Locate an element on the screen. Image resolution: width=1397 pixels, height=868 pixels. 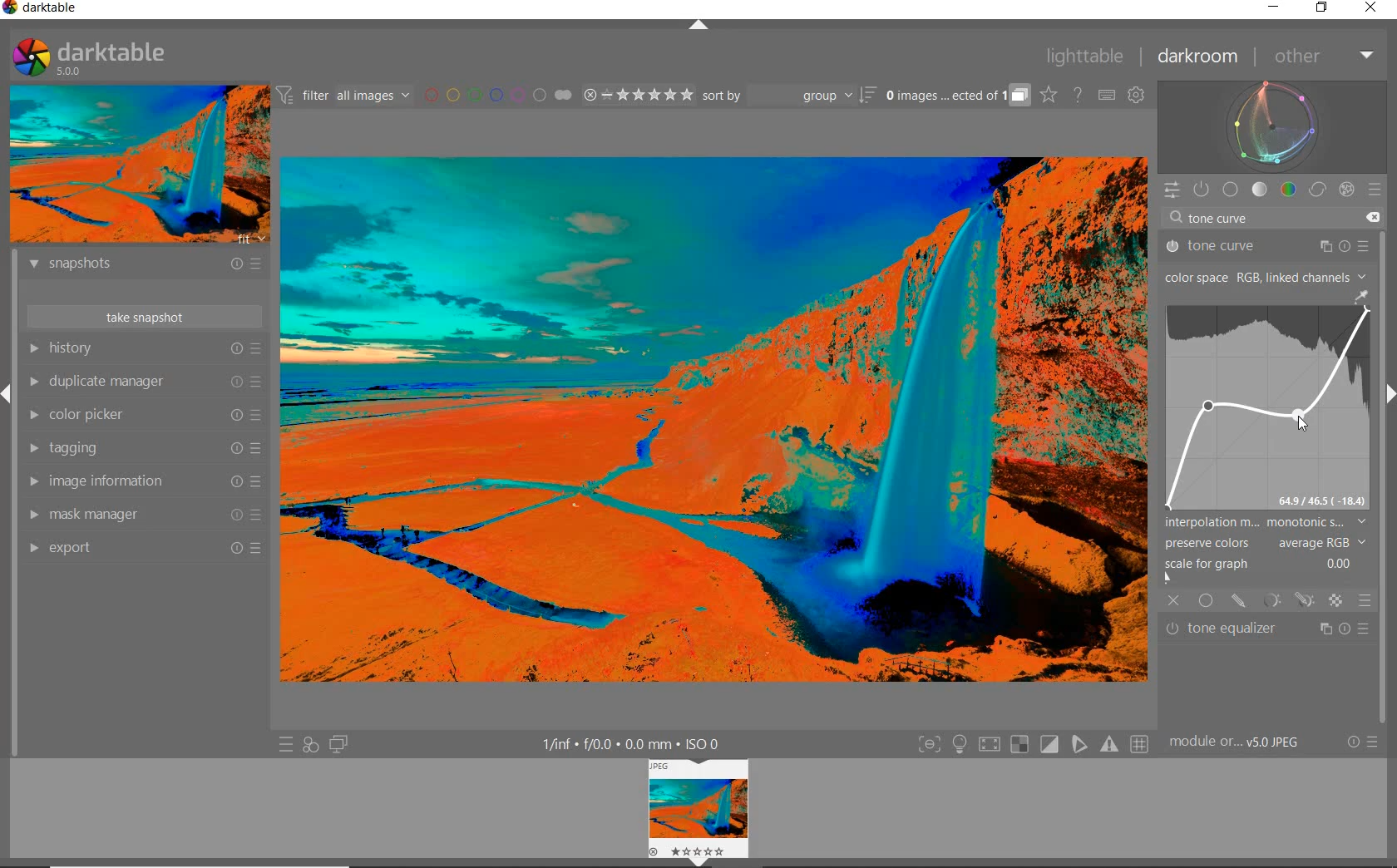
DISPLAY A SECOND DARKROOM IMAGE WINDOW is located at coordinates (339, 744).